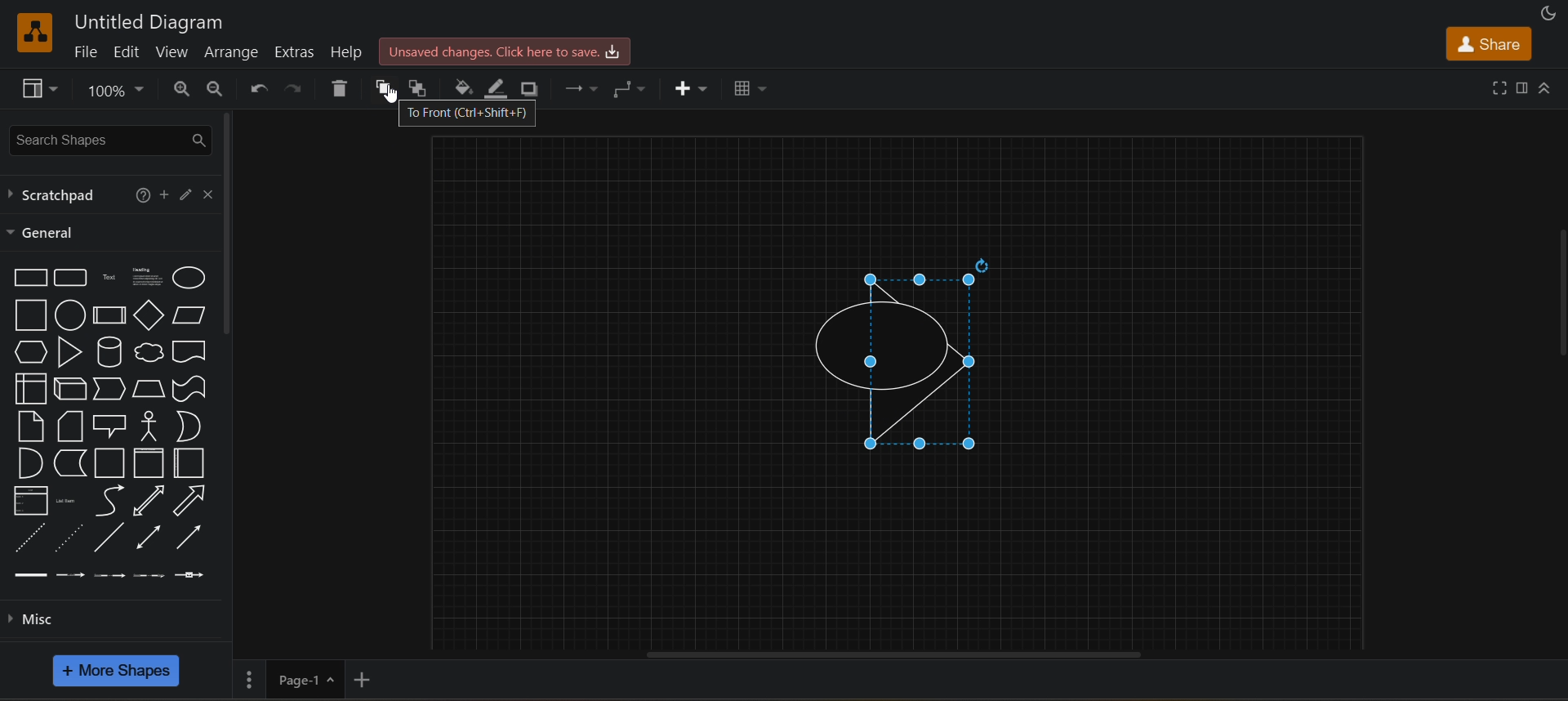  Describe the element at coordinates (1487, 45) in the screenshot. I see `share` at that location.